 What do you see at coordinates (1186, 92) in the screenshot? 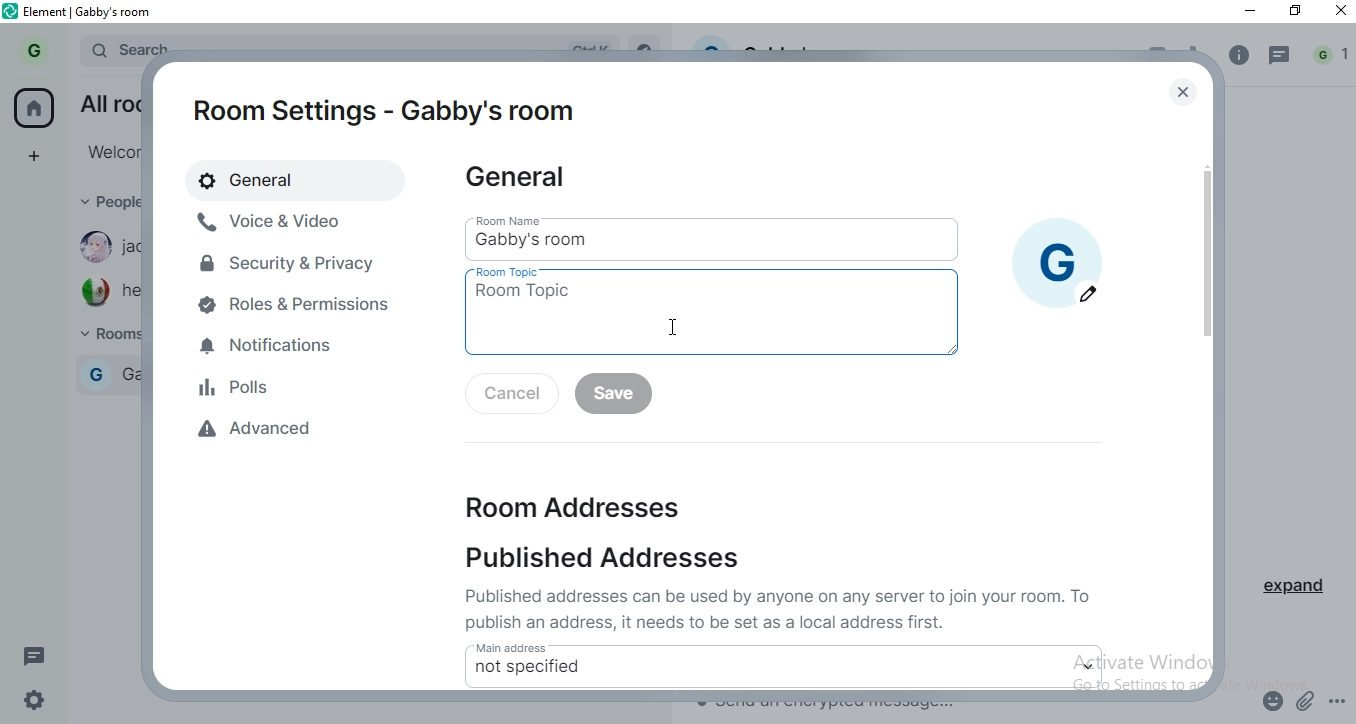
I see `close` at bounding box center [1186, 92].